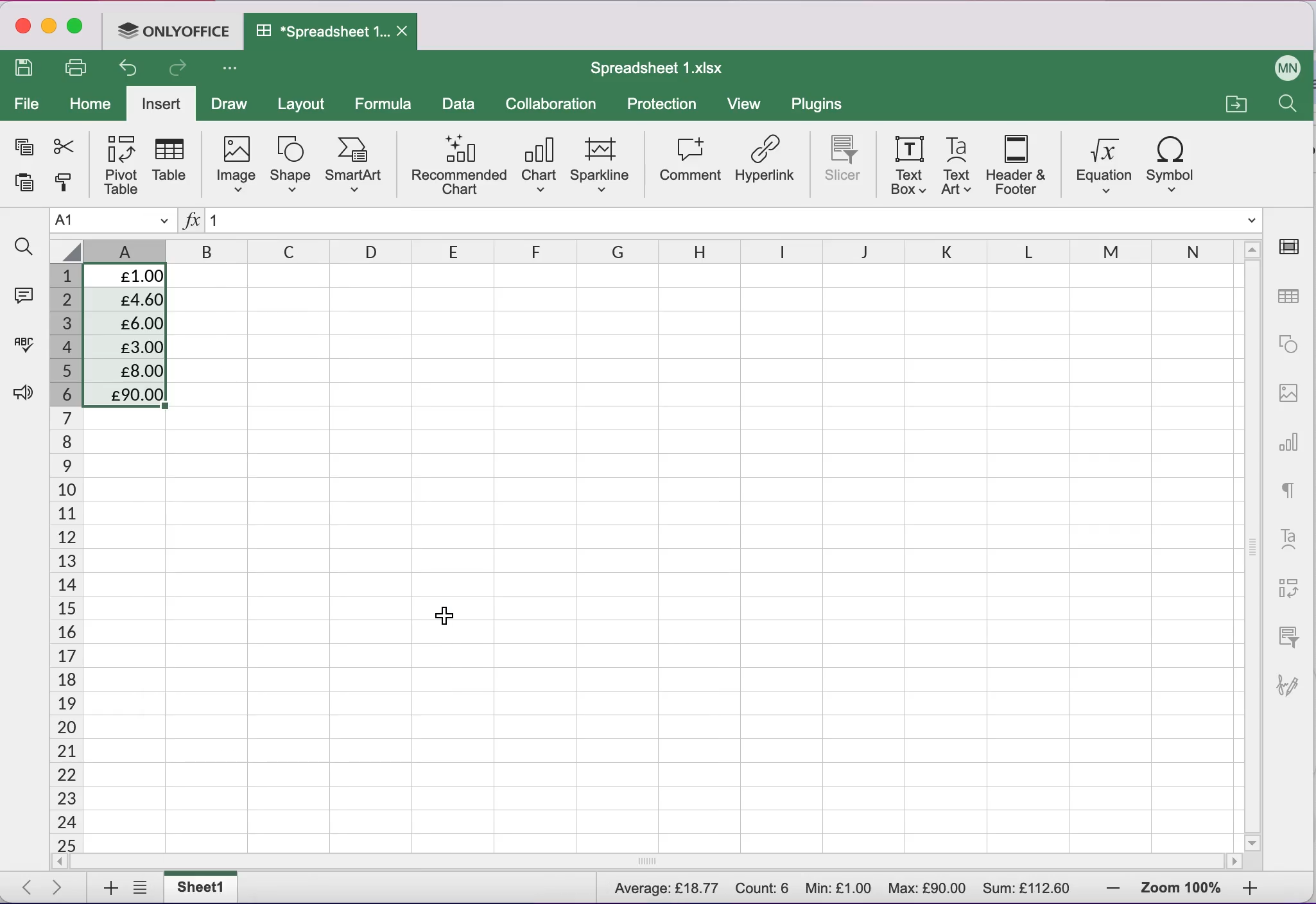  I want to click on £8.00, so click(139, 369).